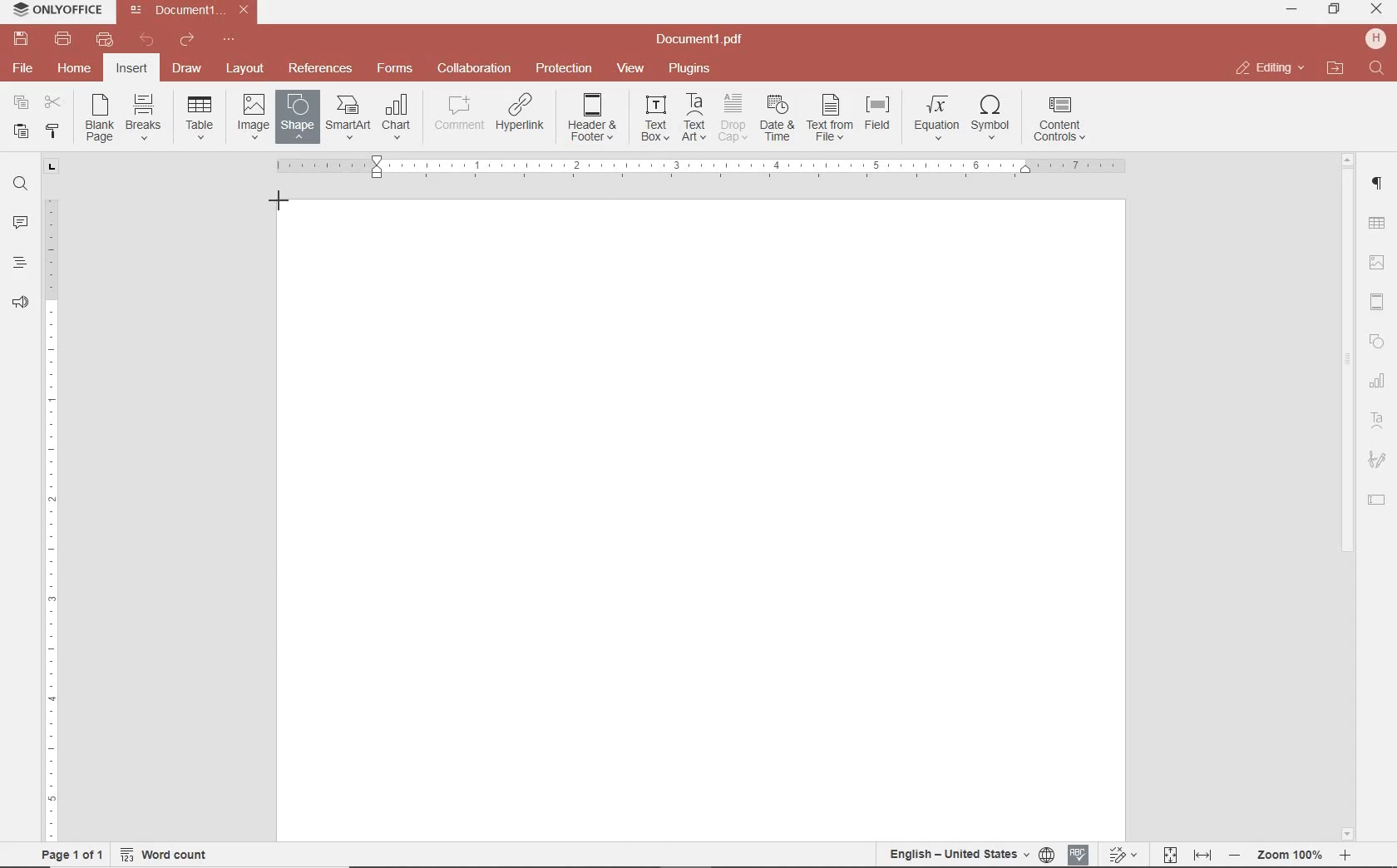 This screenshot has height=868, width=1397. What do you see at coordinates (702, 510) in the screenshot?
I see `` at bounding box center [702, 510].